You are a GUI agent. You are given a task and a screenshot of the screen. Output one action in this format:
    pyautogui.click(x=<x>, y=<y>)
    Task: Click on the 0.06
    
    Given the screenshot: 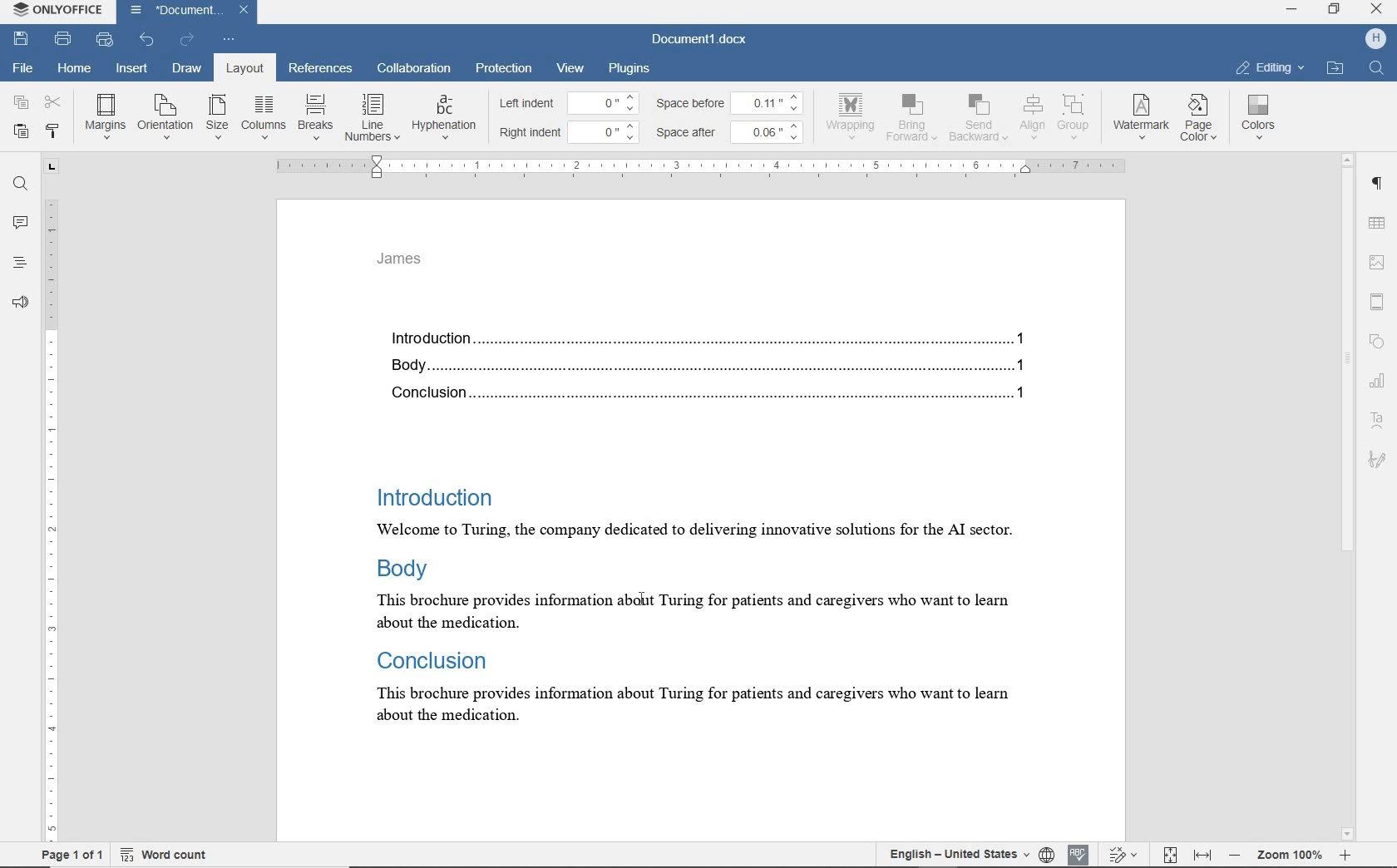 What is the action you would take?
    pyautogui.click(x=771, y=131)
    